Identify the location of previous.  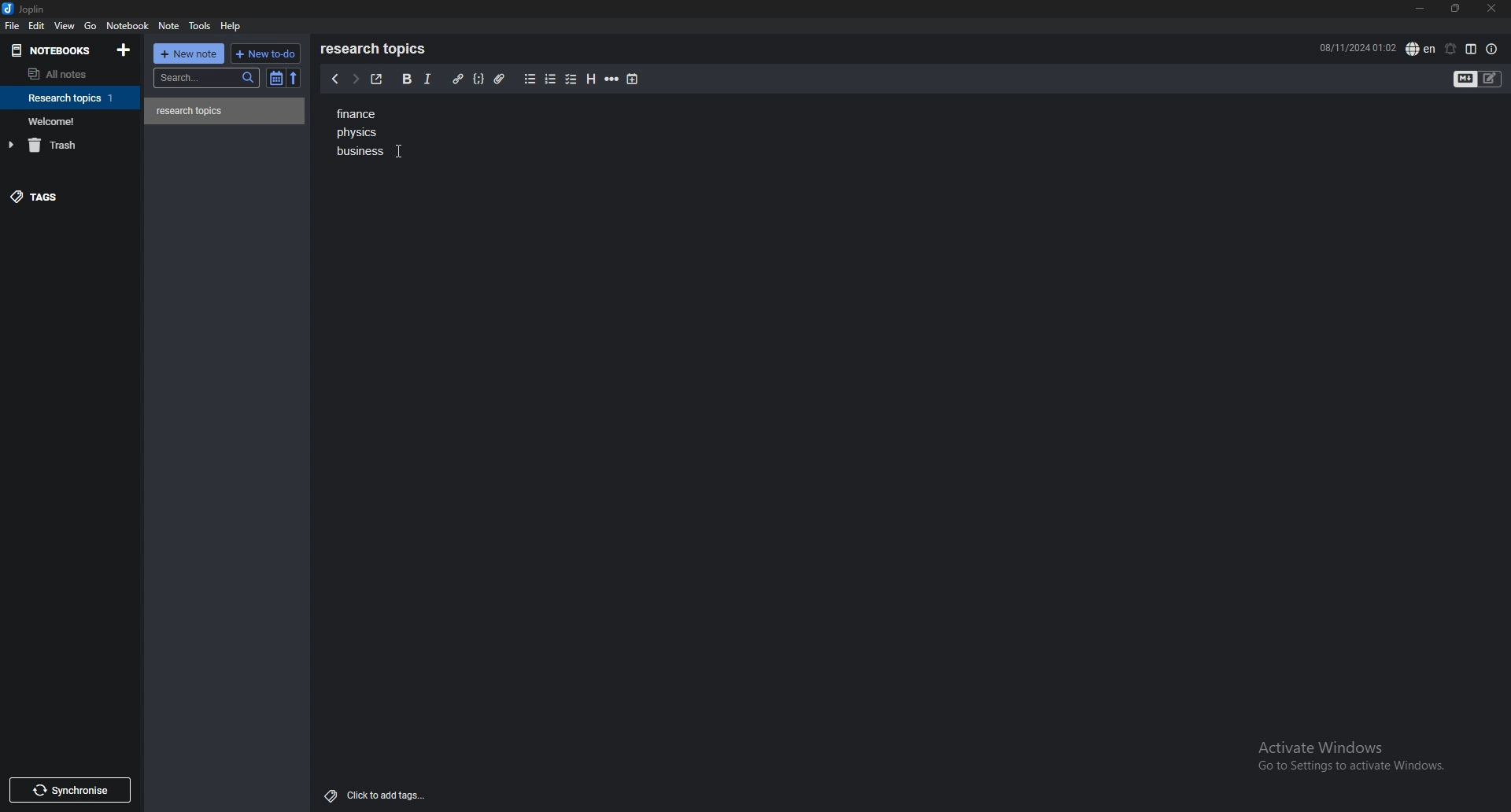
(330, 82).